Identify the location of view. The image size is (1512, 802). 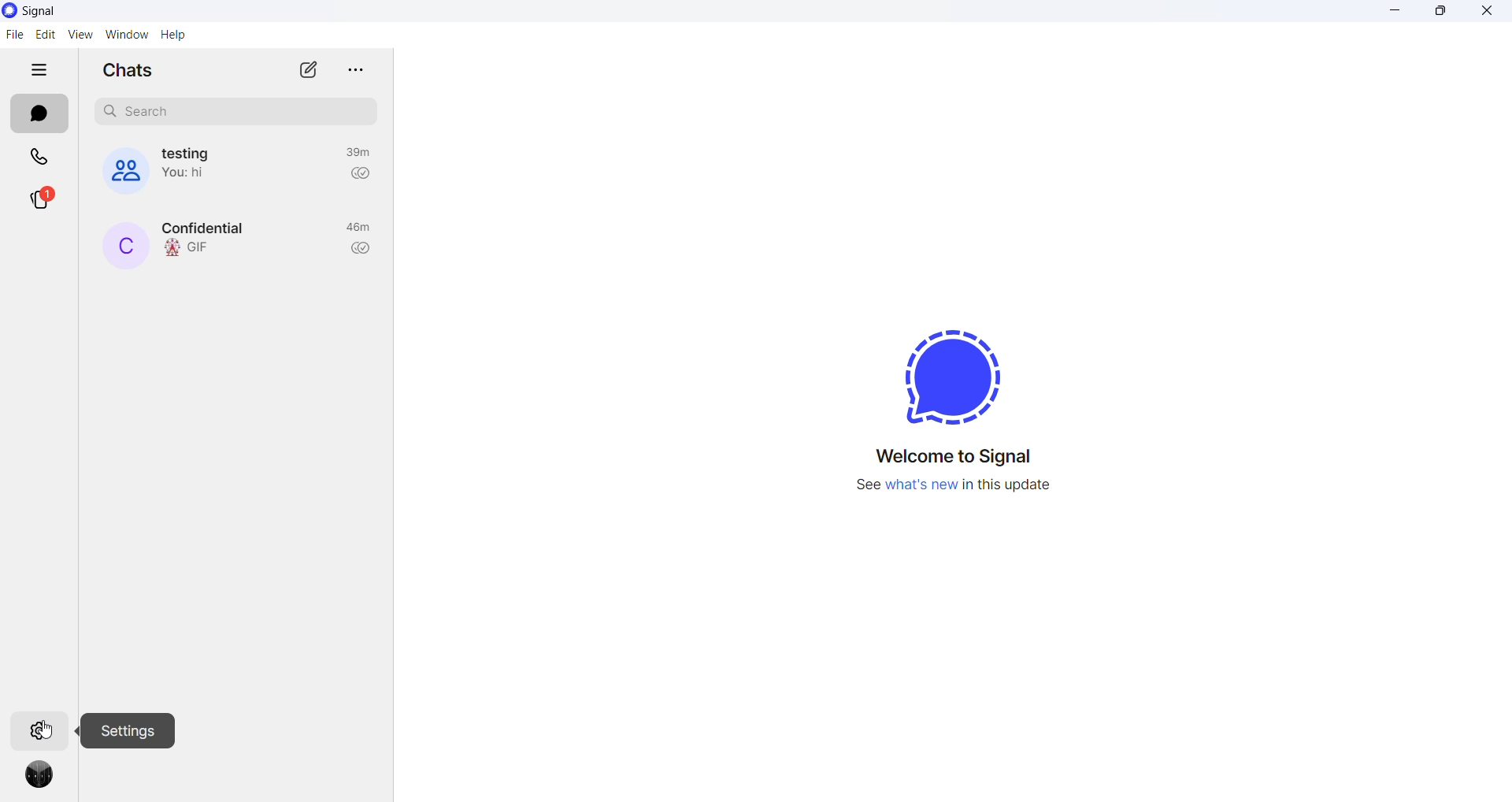
(79, 35).